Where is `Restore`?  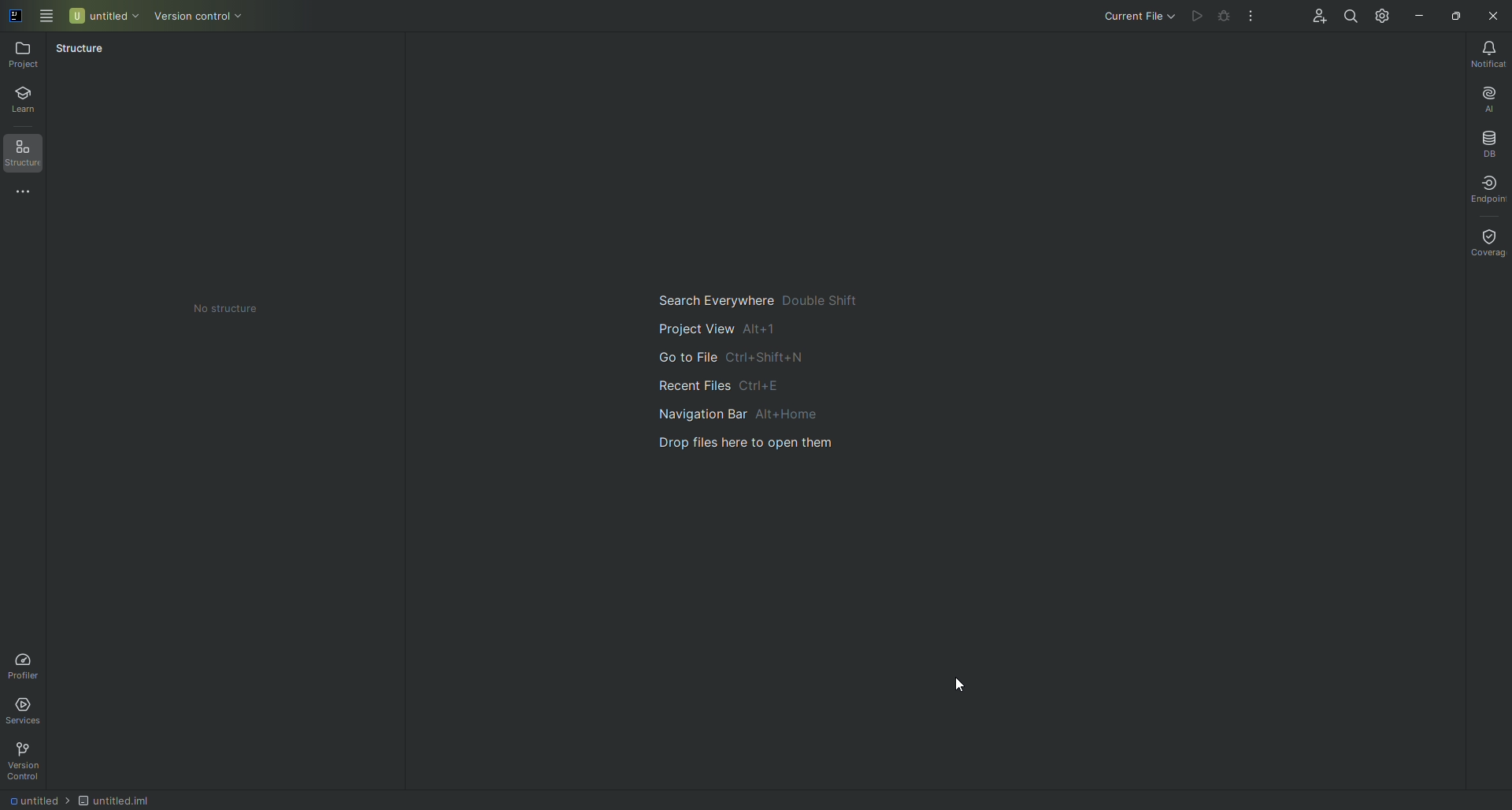
Restore is located at coordinates (1459, 15).